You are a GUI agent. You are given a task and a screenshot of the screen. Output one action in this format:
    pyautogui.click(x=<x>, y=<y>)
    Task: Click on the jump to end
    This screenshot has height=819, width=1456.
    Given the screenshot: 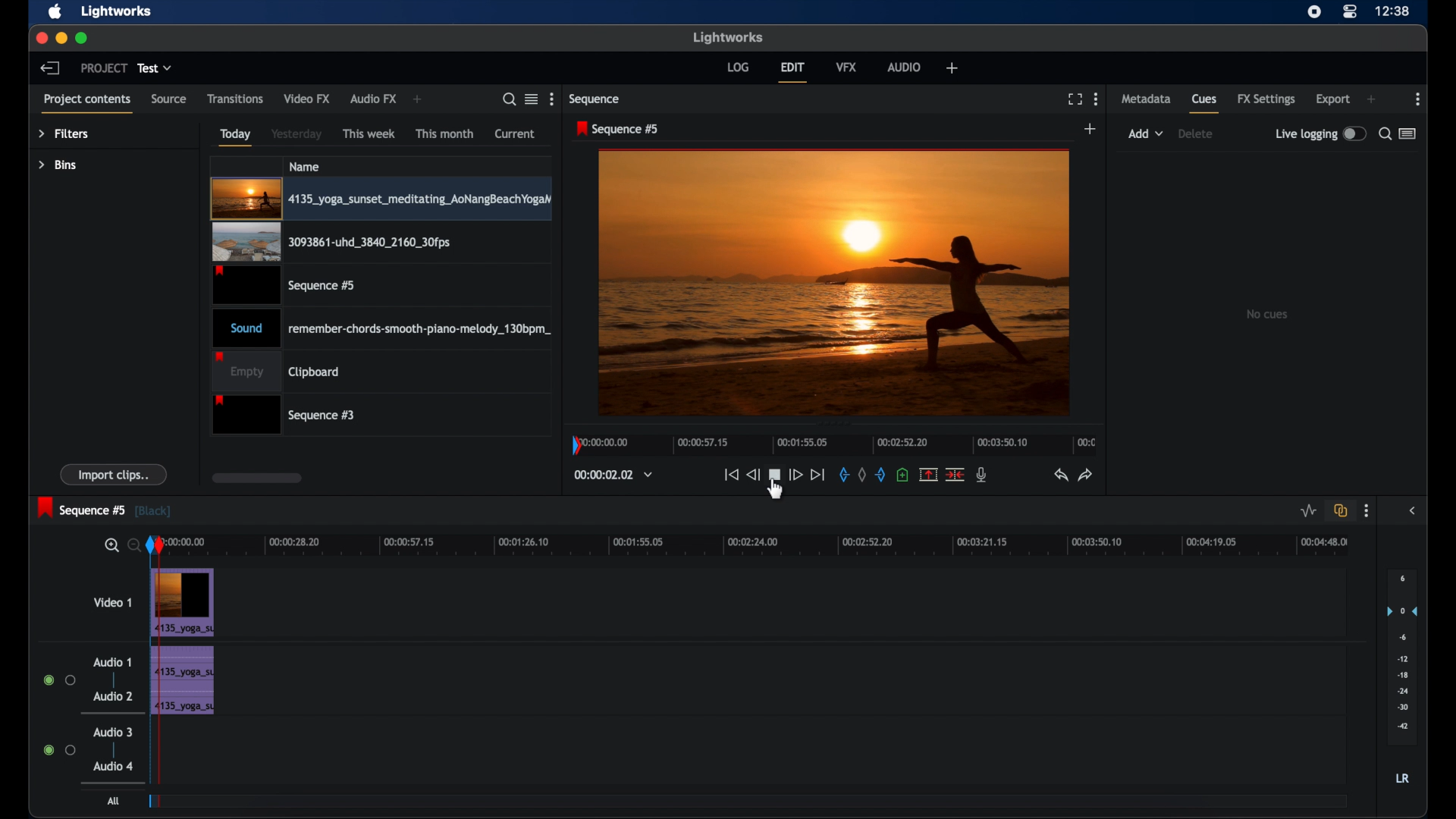 What is the action you would take?
    pyautogui.click(x=817, y=474)
    